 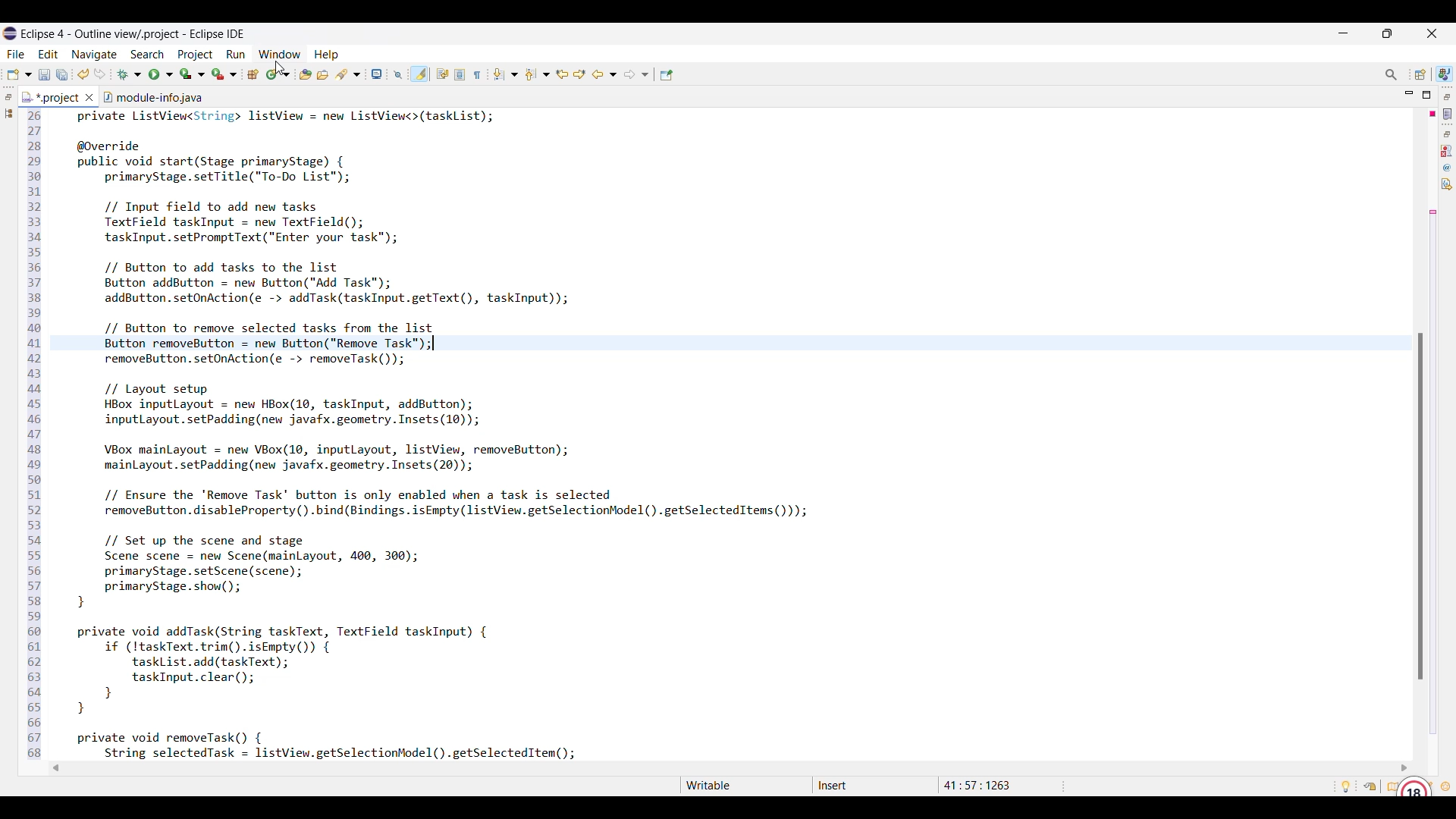 I want to click on Access commands and other items , so click(x=1392, y=75).